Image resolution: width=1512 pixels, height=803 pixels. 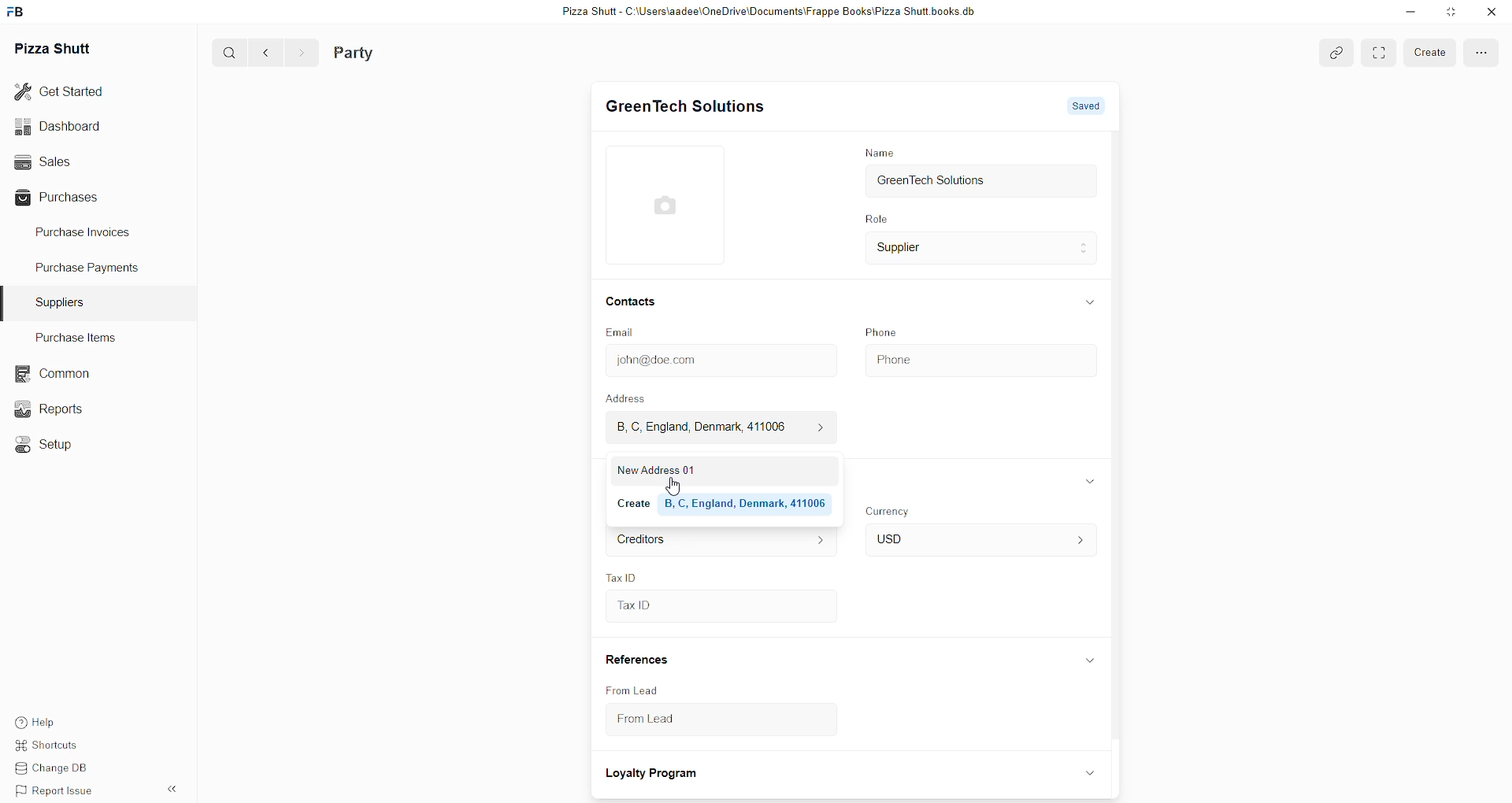 What do you see at coordinates (1377, 52) in the screenshot?
I see `options` at bounding box center [1377, 52].